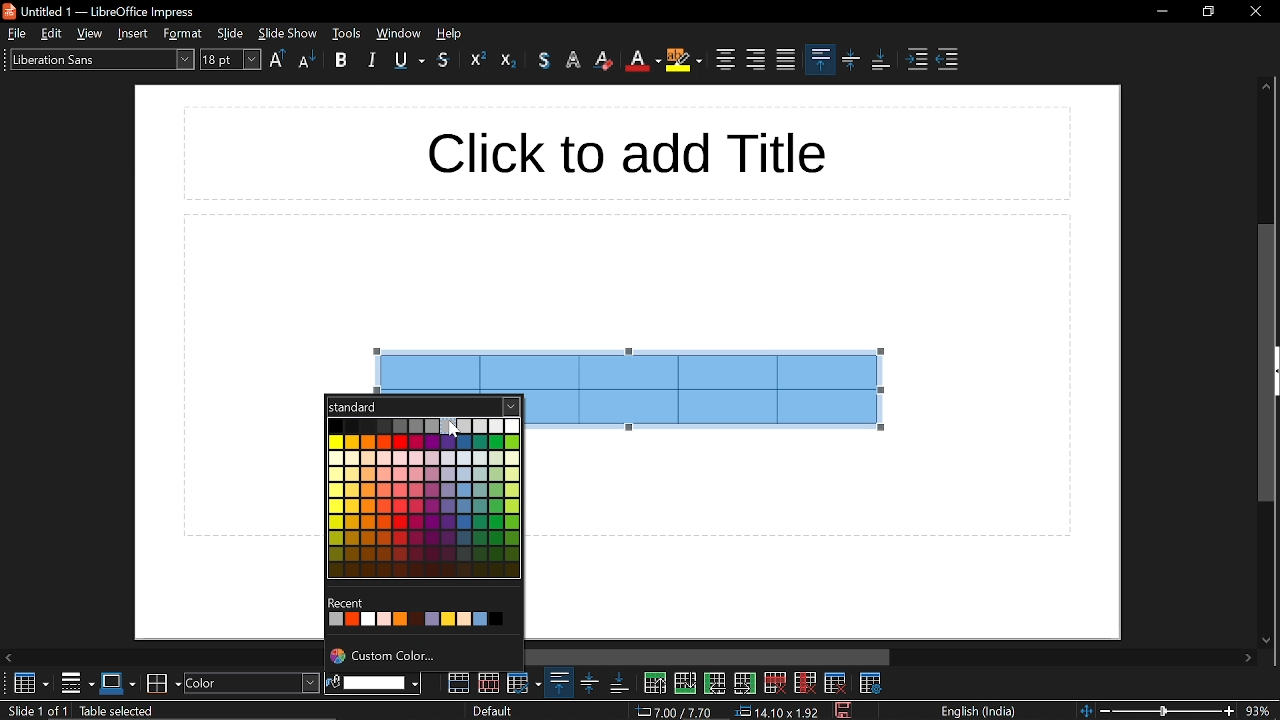 Image resolution: width=1280 pixels, height=720 pixels. I want to click on customize color, so click(421, 657).